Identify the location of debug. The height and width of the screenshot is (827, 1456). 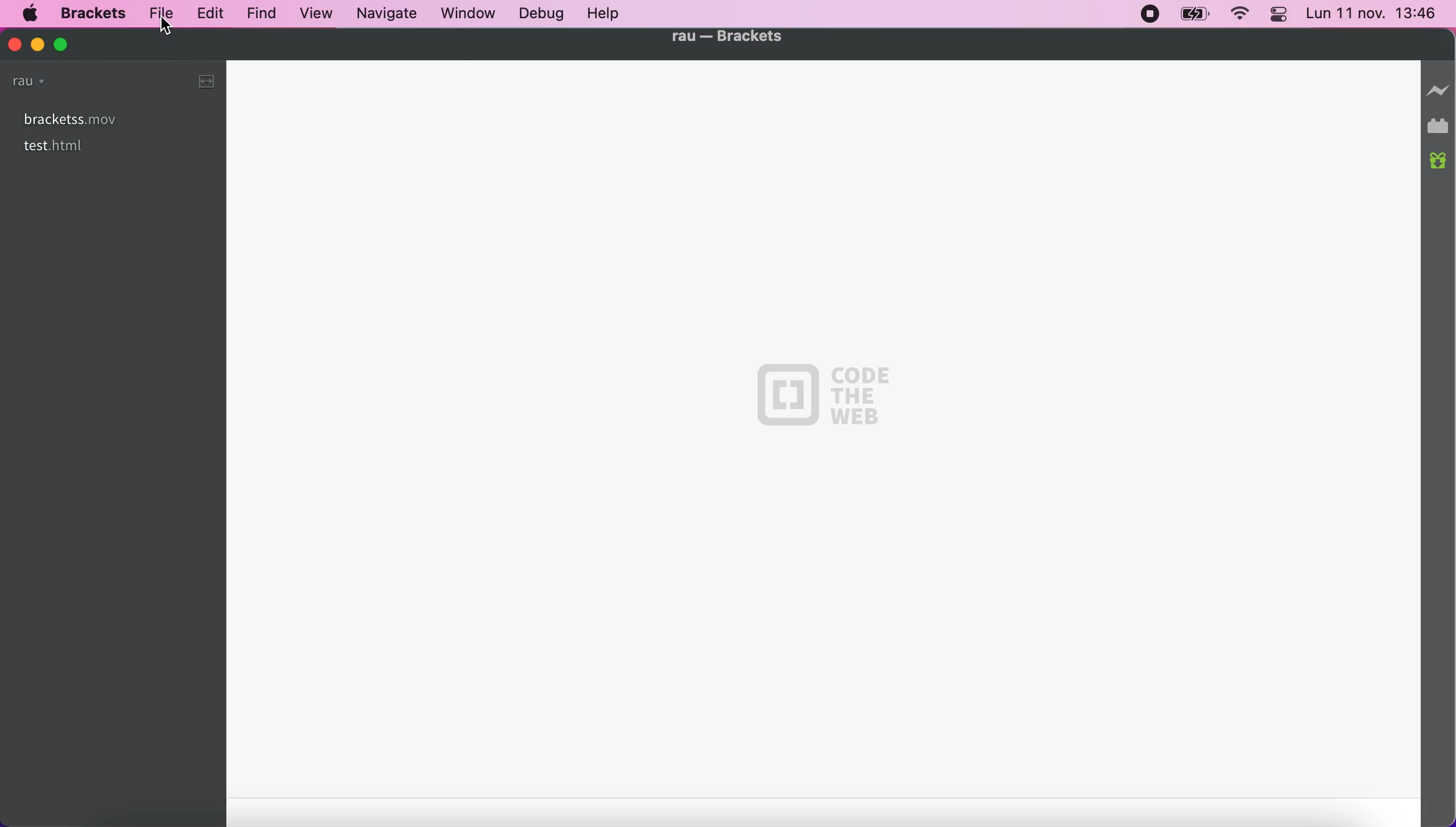
(544, 13).